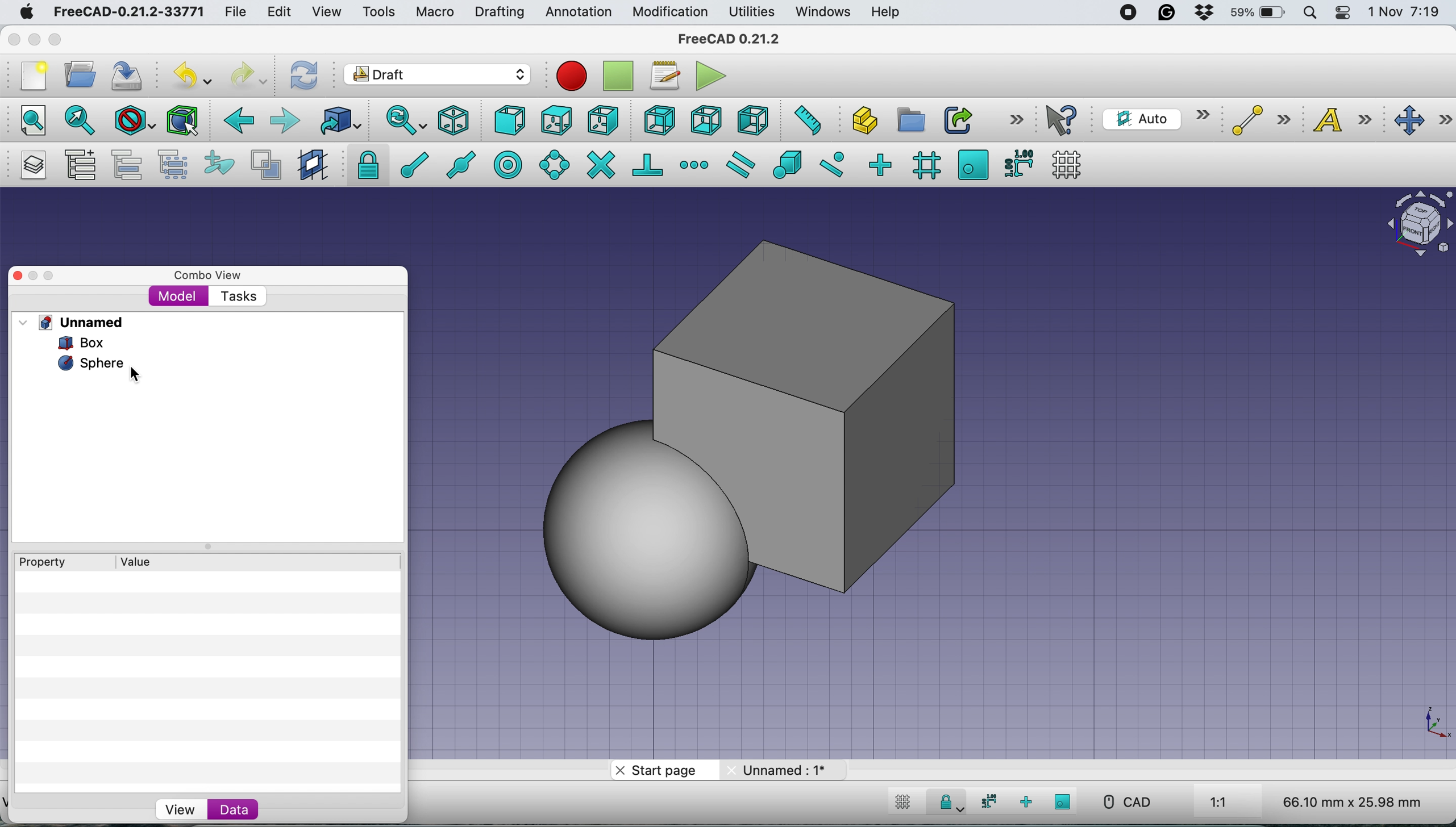 The height and width of the screenshot is (827, 1456). What do you see at coordinates (1424, 724) in the screenshot?
I see `xy coordinate` at bounding box center [1424, 724].